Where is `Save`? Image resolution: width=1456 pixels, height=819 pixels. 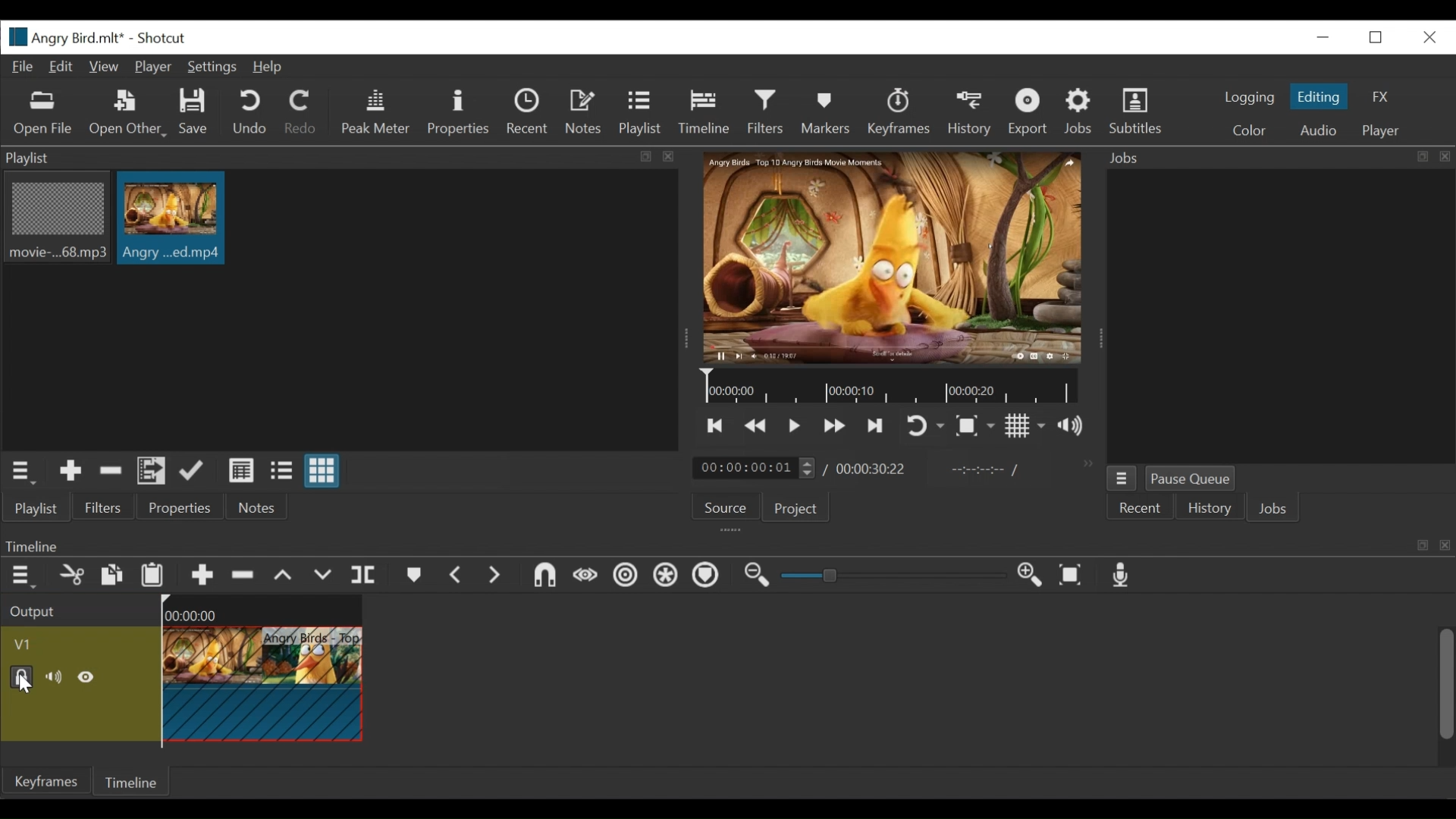
Save is located at coordinates (196, 115).